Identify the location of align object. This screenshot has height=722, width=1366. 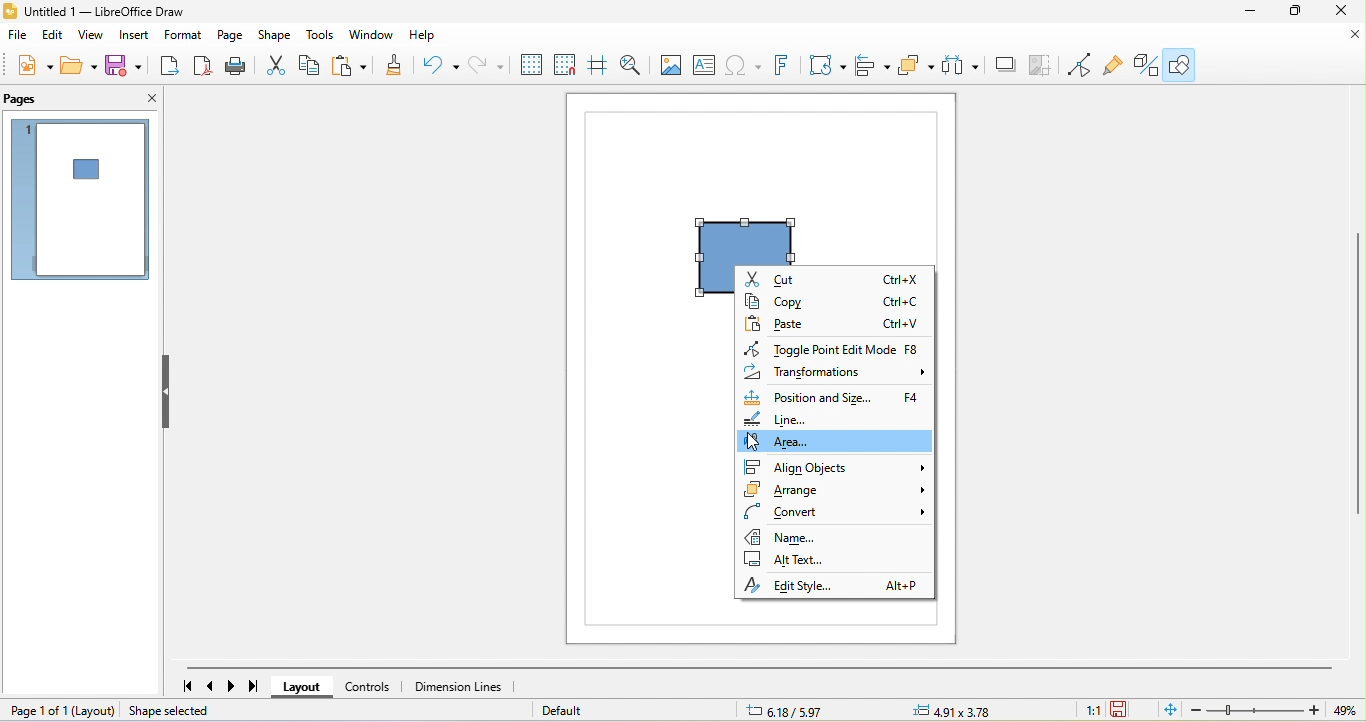
(836, 469).